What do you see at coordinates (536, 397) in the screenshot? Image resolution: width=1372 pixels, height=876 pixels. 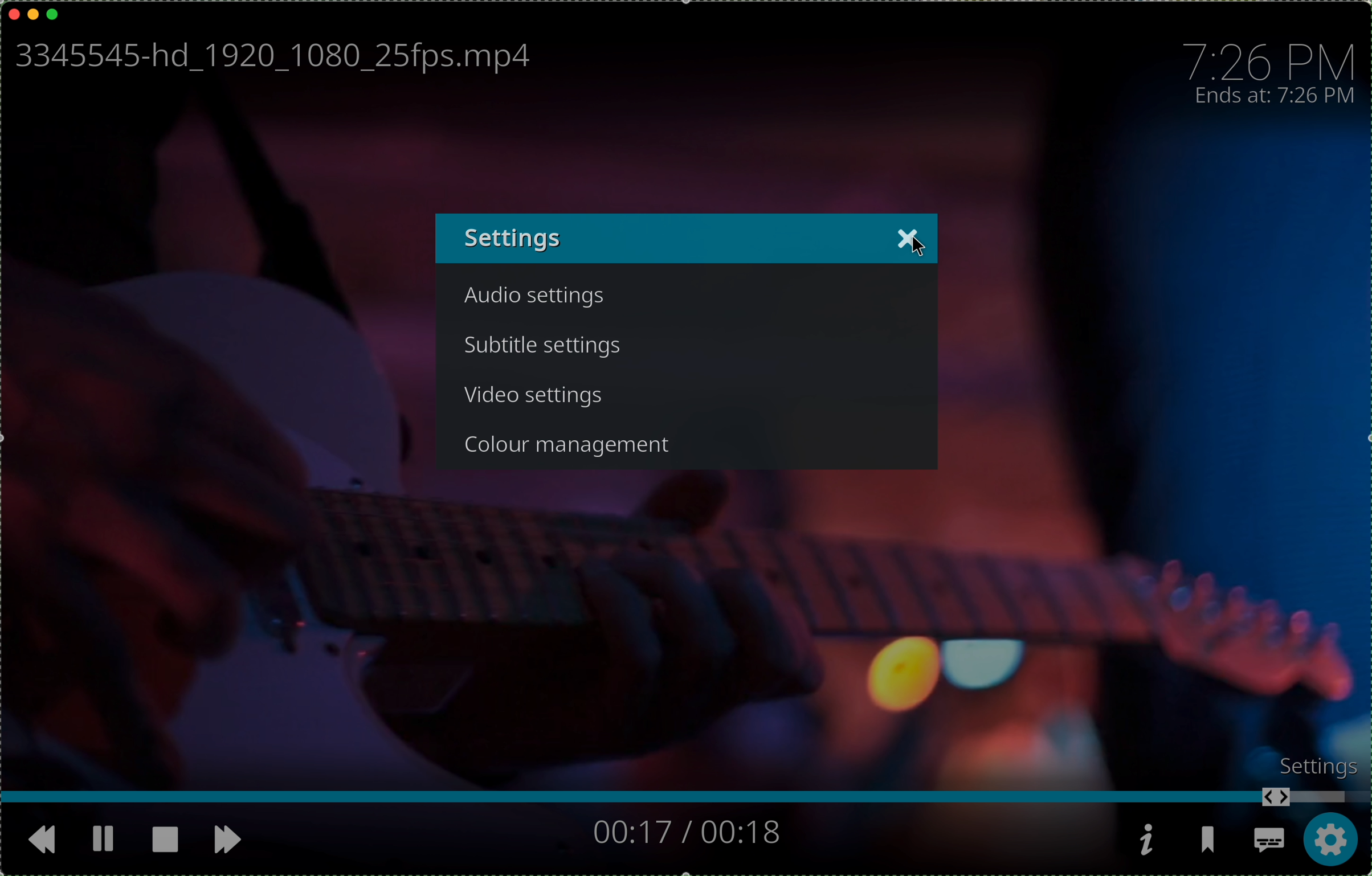 I see `video settings` at bounding box center [536, 397].